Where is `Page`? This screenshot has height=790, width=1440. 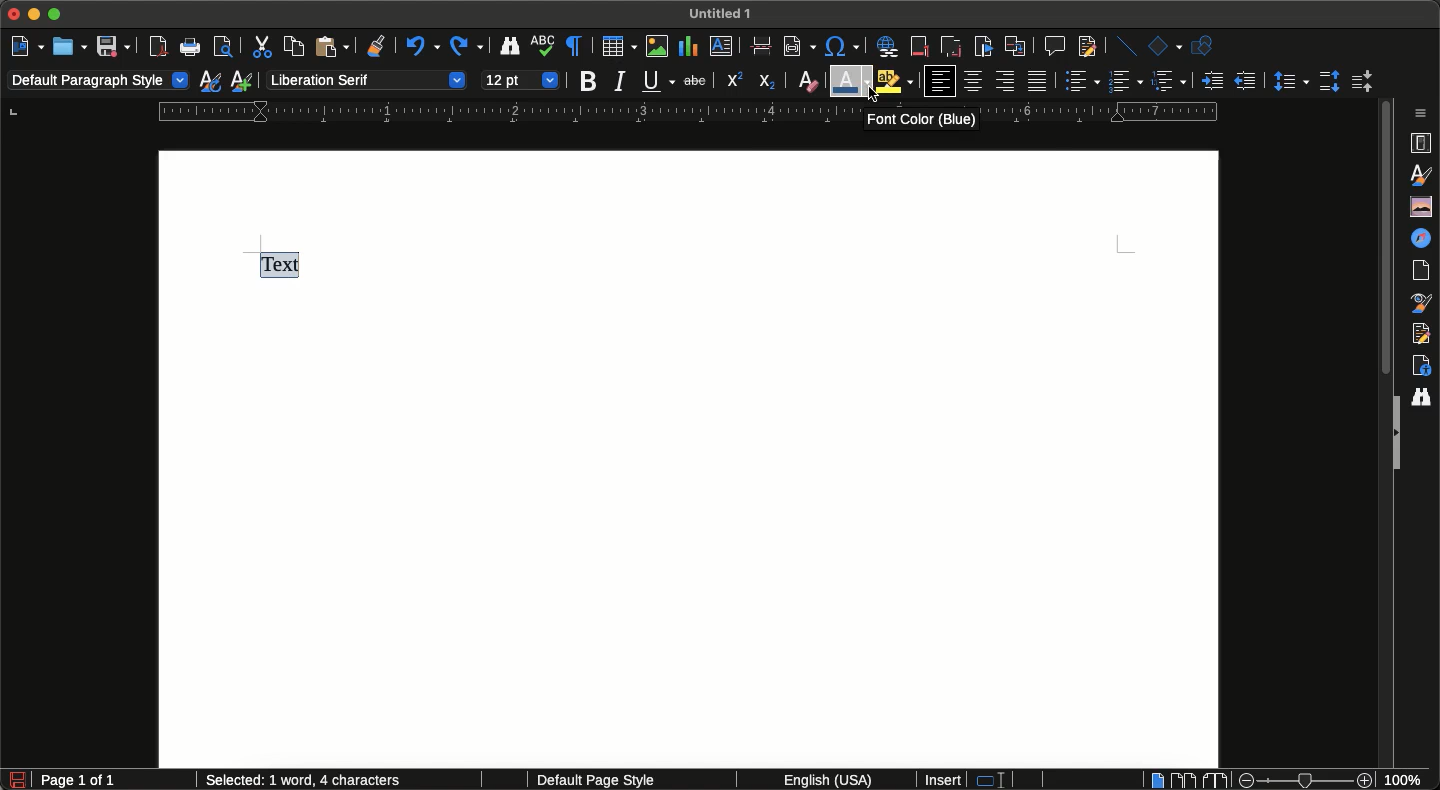 Page is located at coordinates (1425, 271).